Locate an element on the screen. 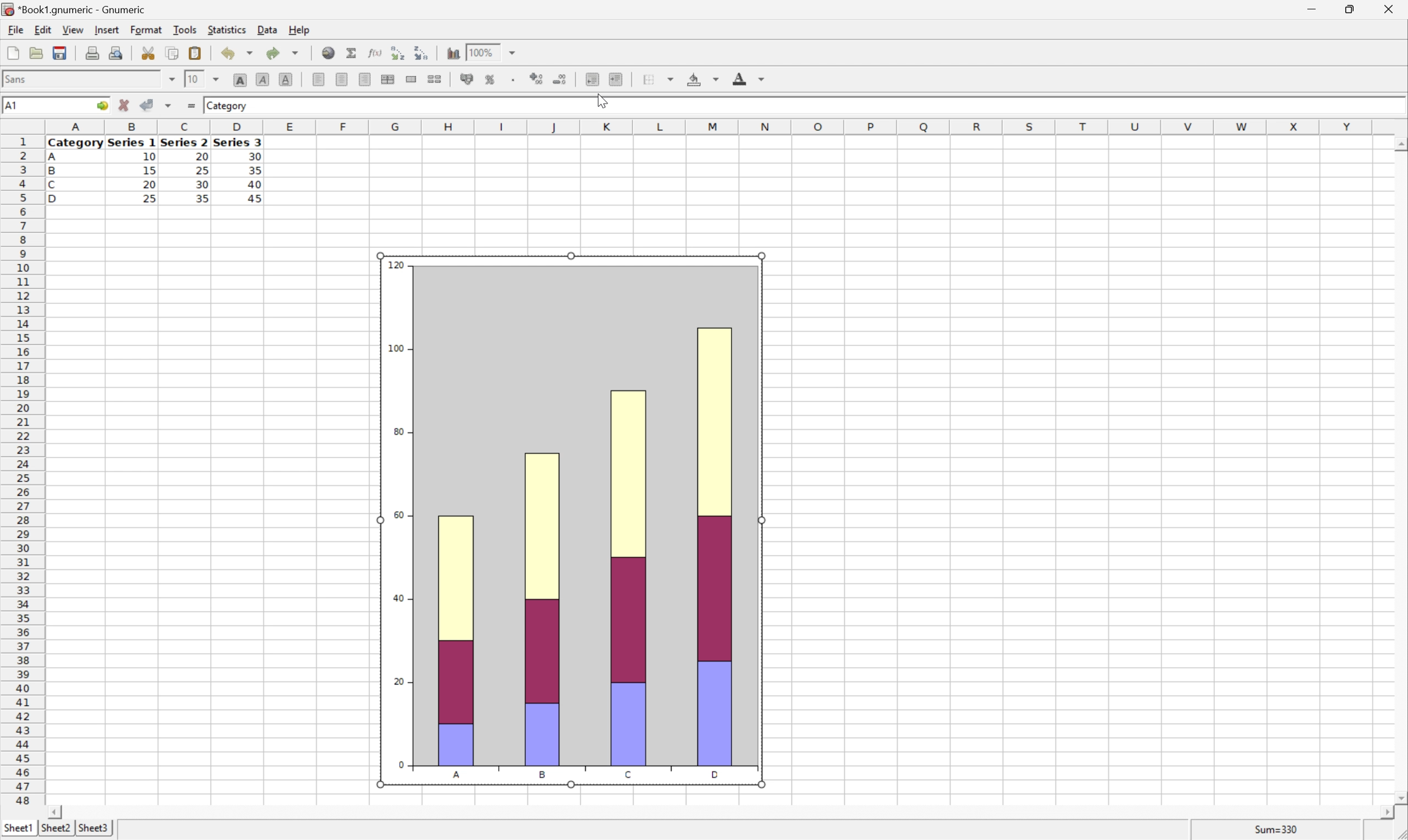  Cut selection is located at coordinates (149, 53).